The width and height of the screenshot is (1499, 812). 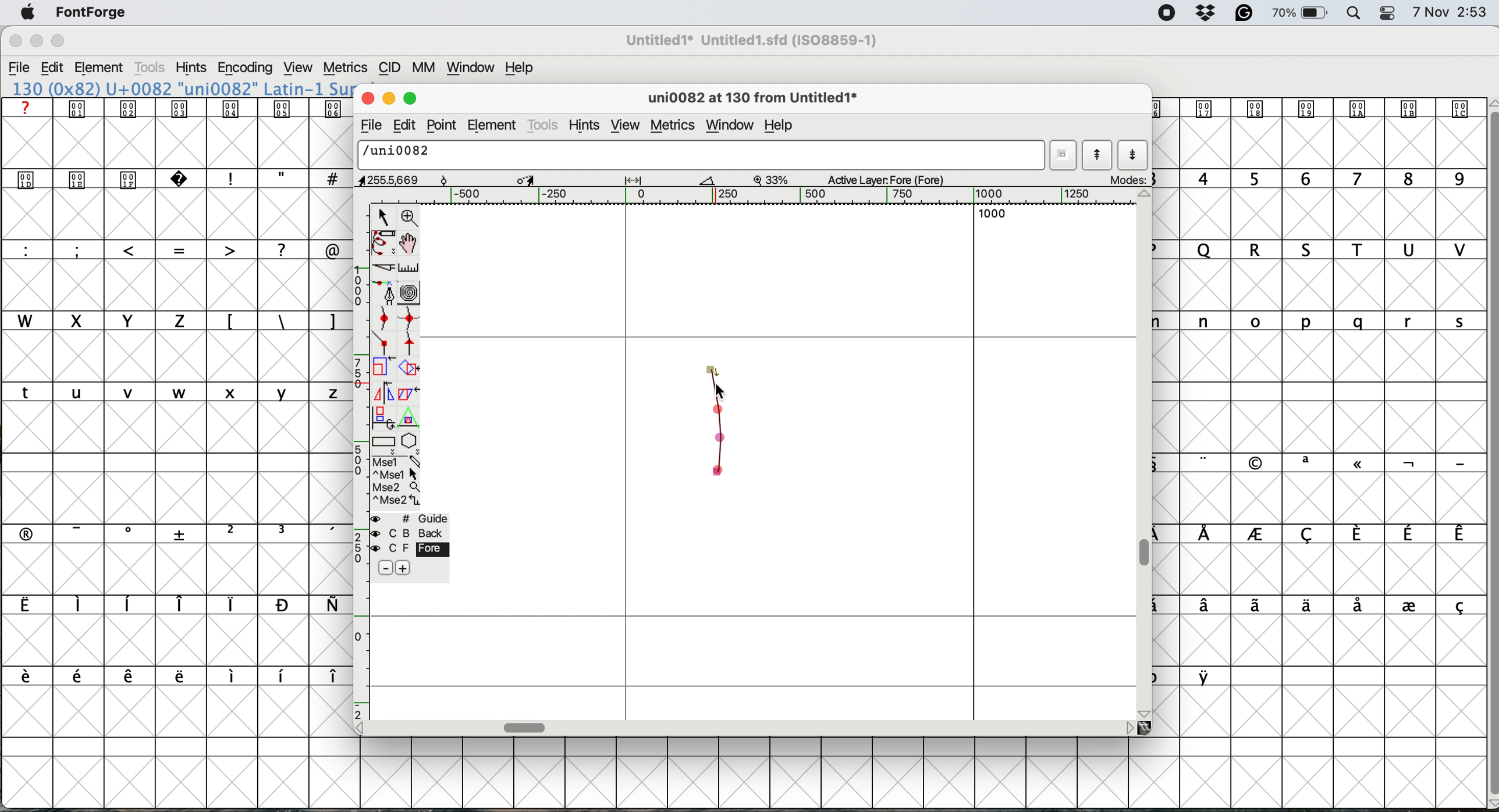 What do you see at coordinates (1310, 462) in the screenshot?
I see `special characters` at bounding box center [1310, 462].